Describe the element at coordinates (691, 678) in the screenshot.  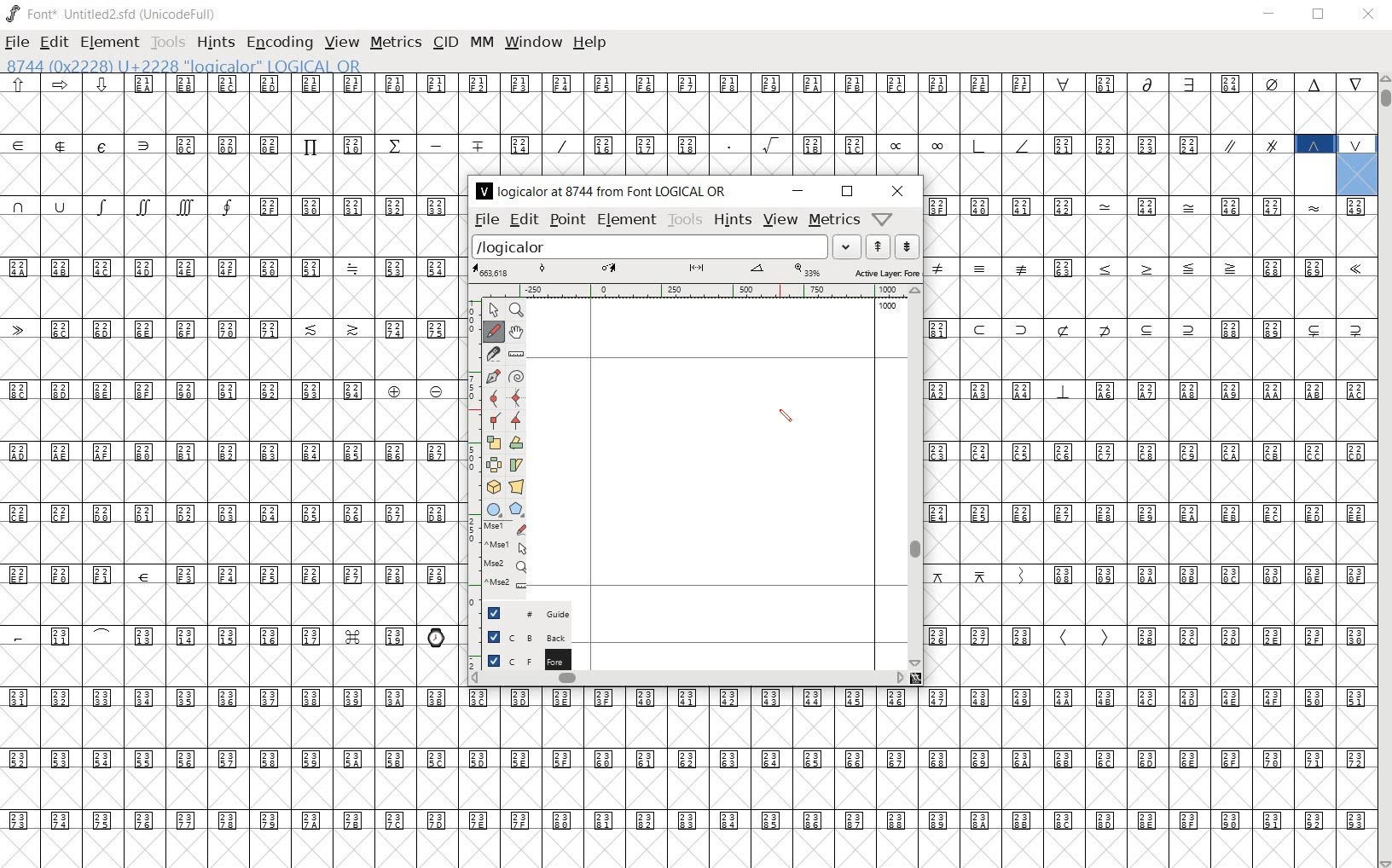
I see `scrollbar` at that location.